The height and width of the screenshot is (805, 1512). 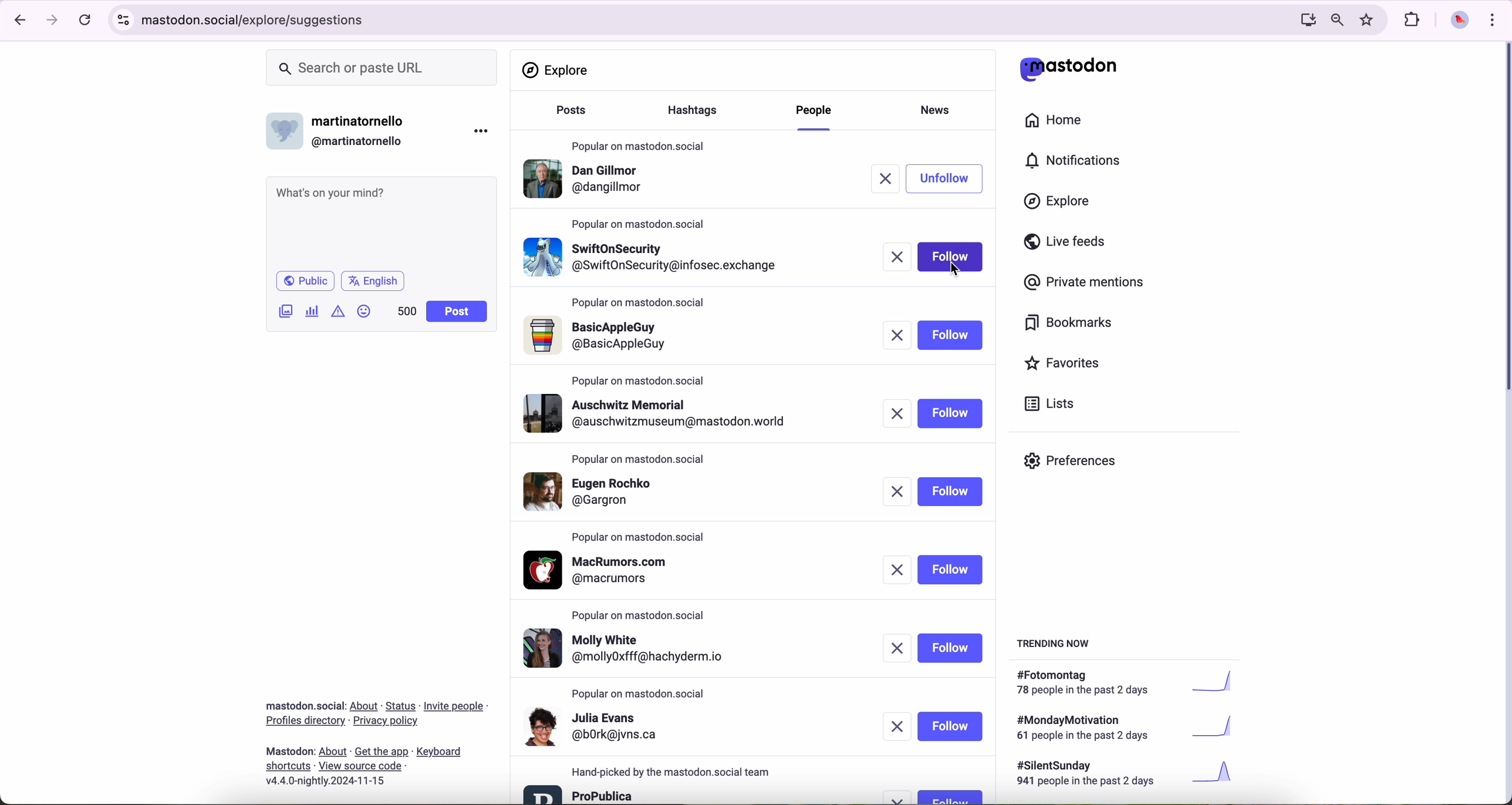 What do you see at coordinates (1128, 775) in the screenshot?
I see `#silentsunday` at bounding box center [1128, 775].